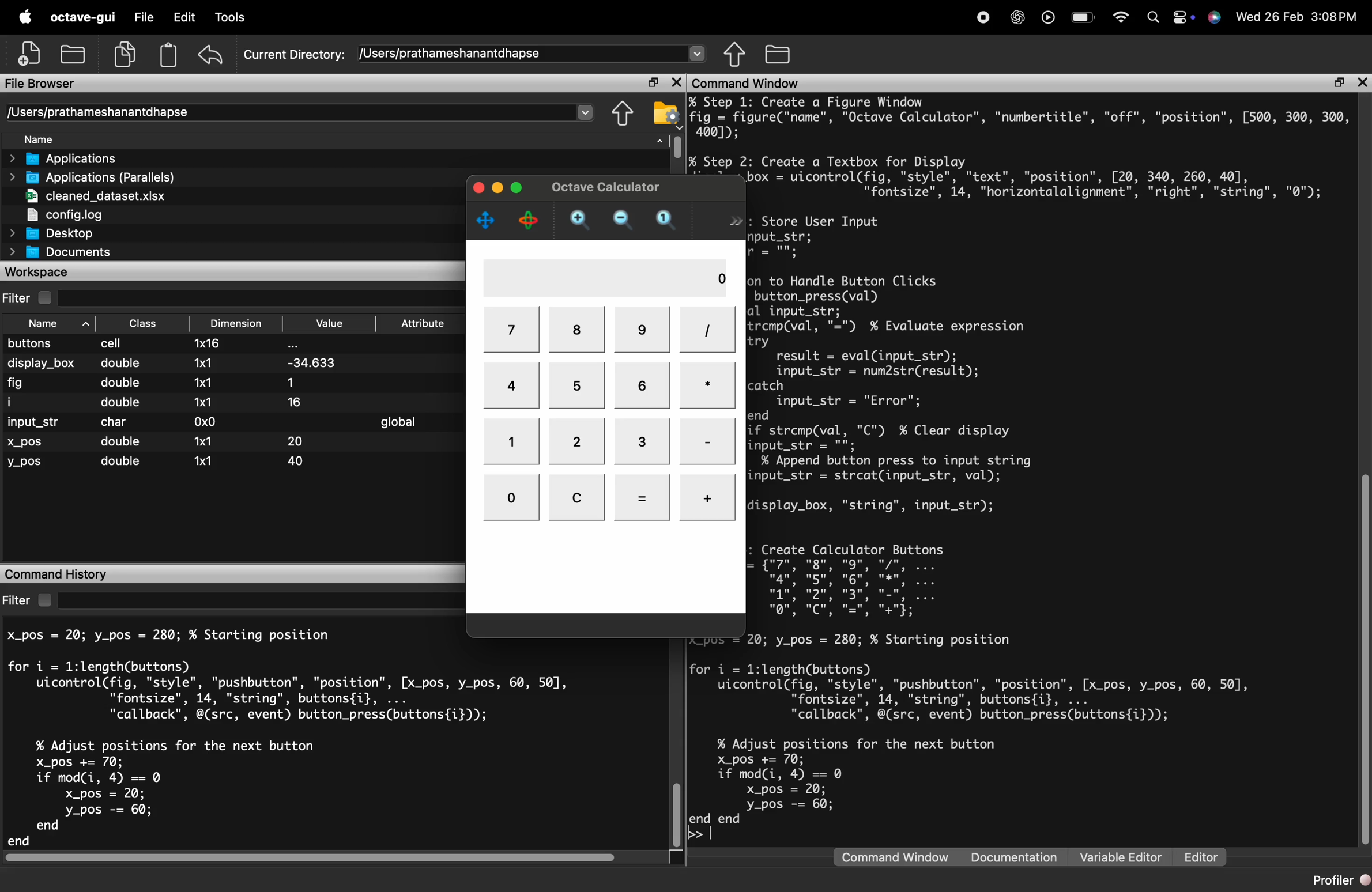  What do you see at coordinates (233, 18) in the screenshot?
I see `Debug` at bounding box center [233, 18].